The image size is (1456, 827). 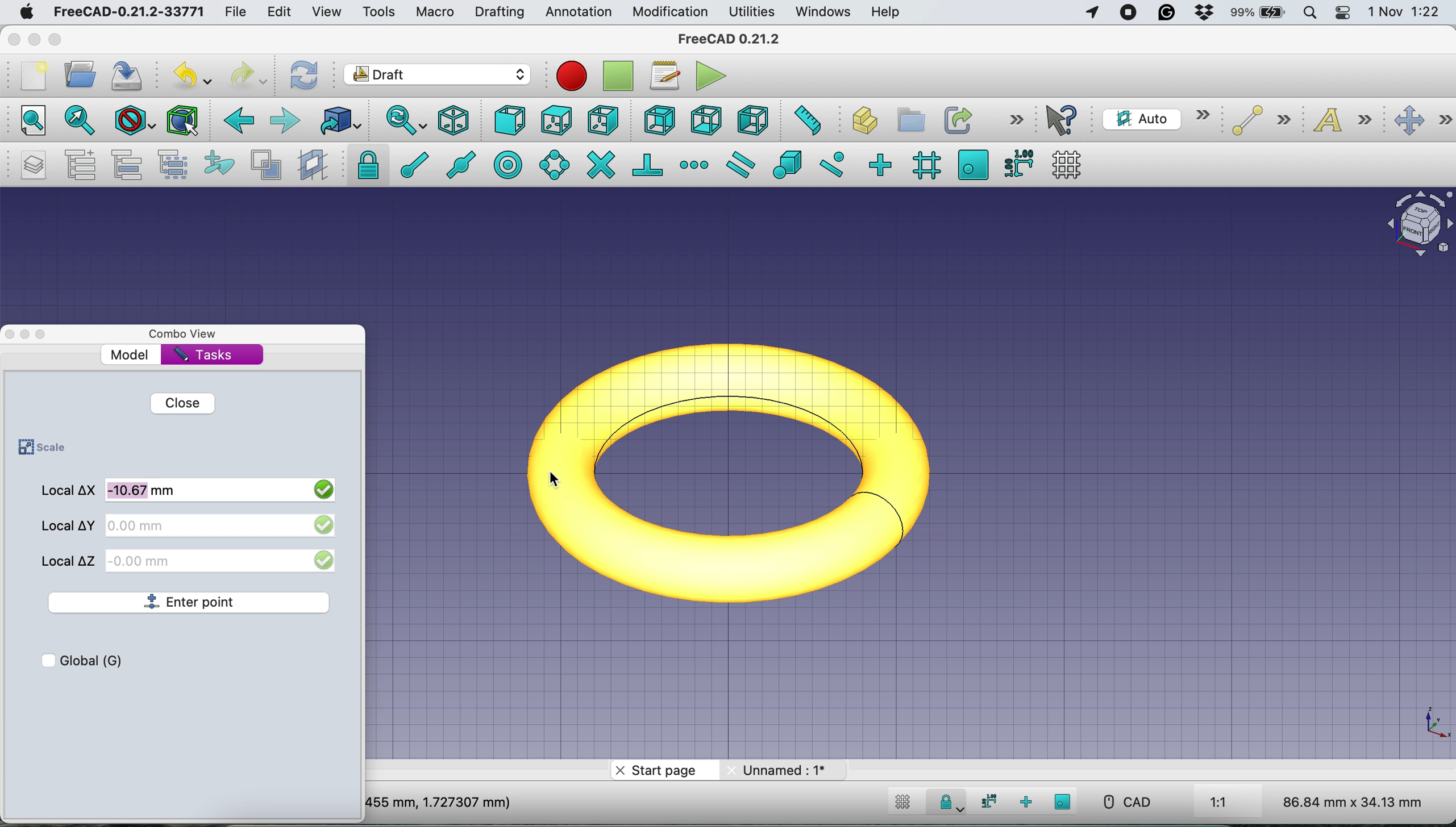 What do you see at coordinates (753, 12) in the screenshot?
I see `utilities` at bounding box center [753, 12].